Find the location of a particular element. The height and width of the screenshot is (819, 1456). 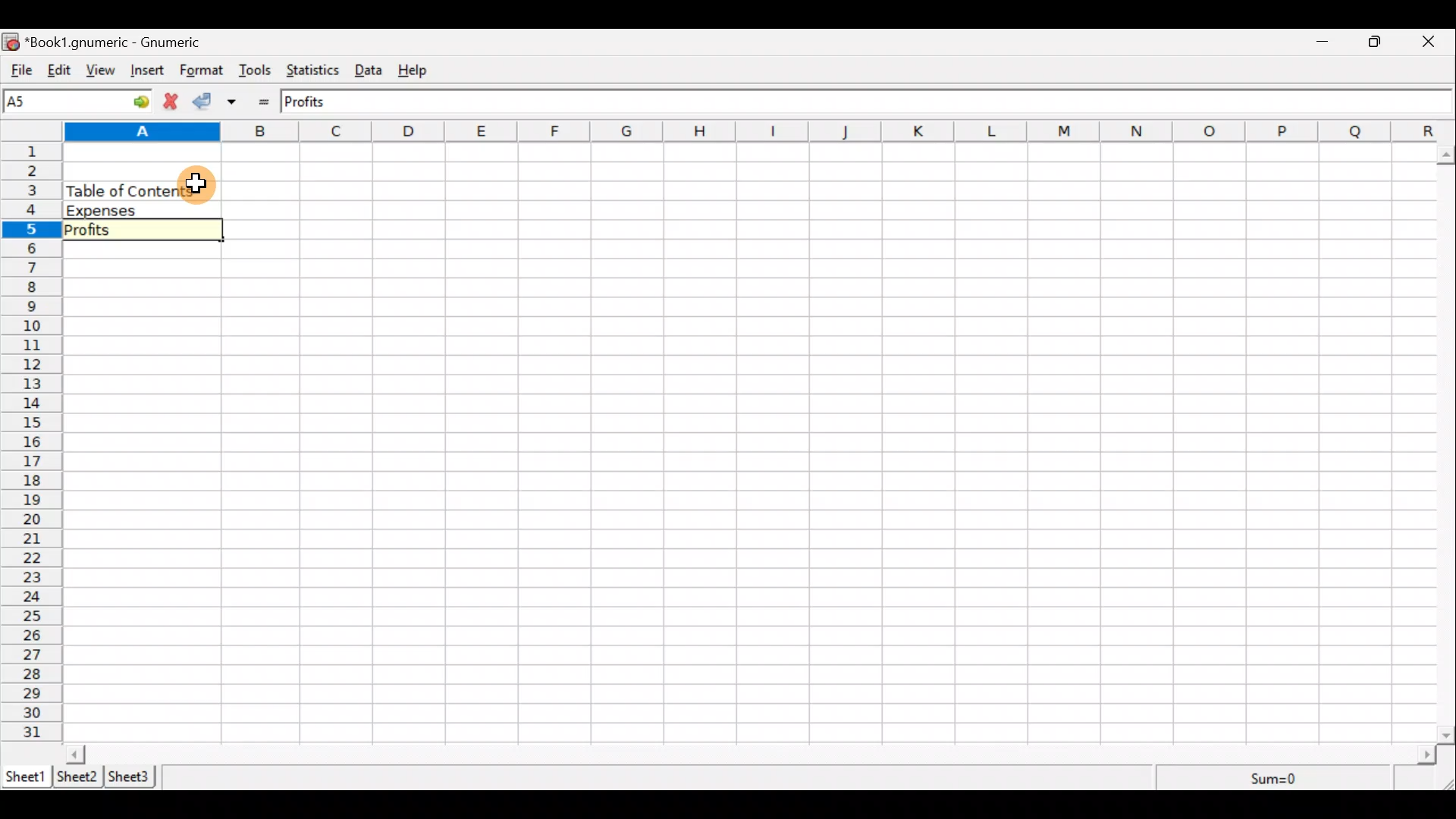

Sheet 2 is located at coordinates (77, 778).